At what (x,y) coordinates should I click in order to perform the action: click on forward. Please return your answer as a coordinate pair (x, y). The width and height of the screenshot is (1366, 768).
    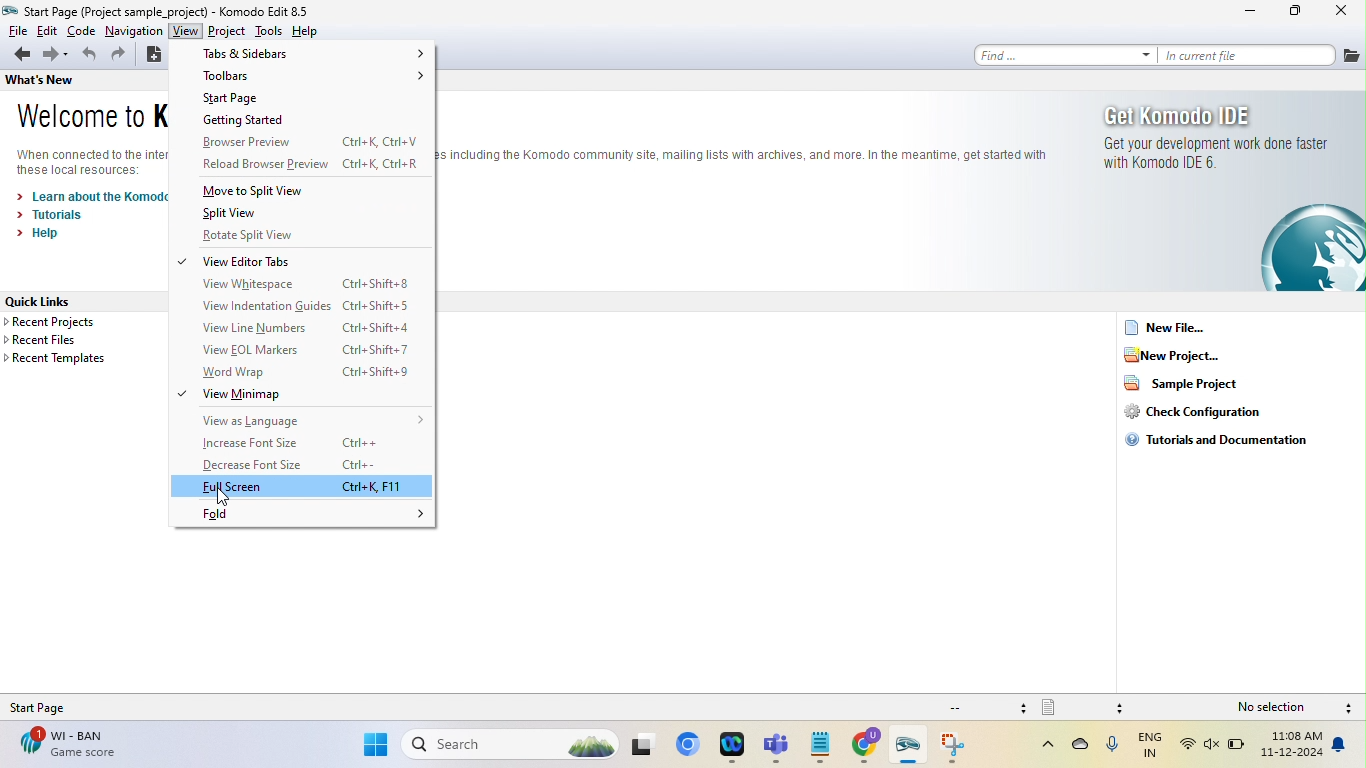
    Looking at the image, I should click on (57, 55).